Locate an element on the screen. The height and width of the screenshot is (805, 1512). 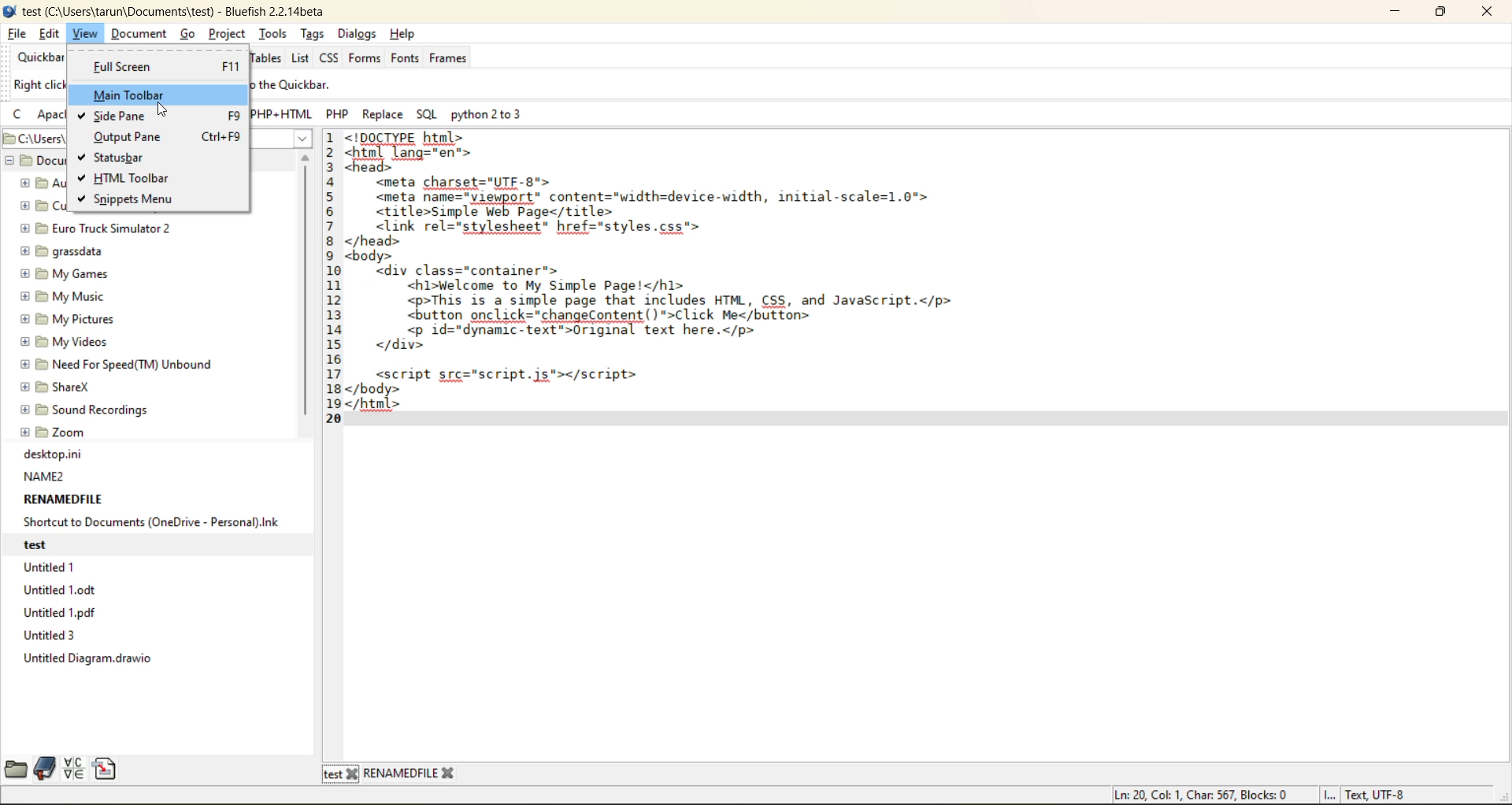
apache is located at coordinates (56, 116).